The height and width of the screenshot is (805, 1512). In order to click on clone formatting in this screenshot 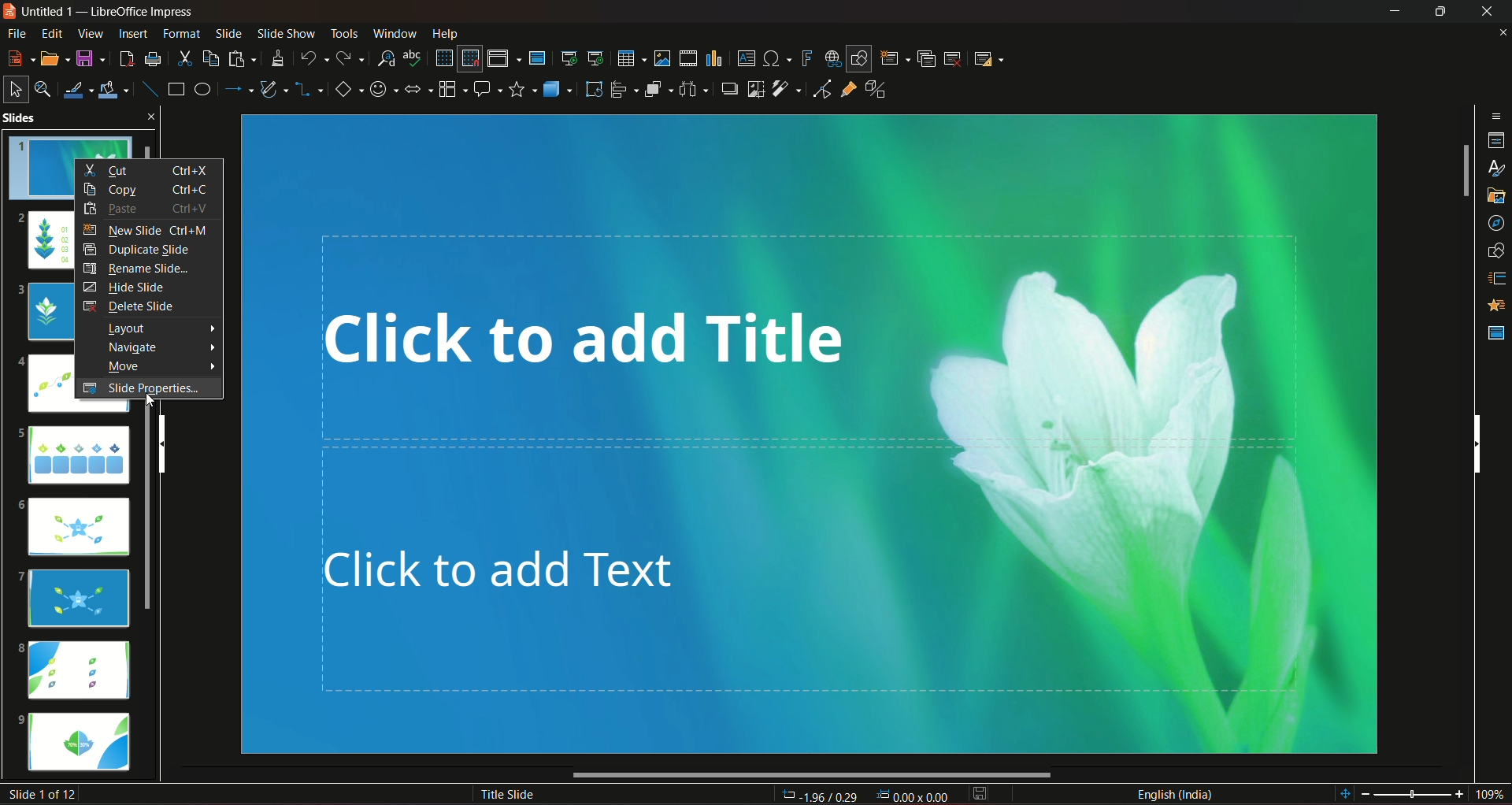, I will do `click(280, 58)`.